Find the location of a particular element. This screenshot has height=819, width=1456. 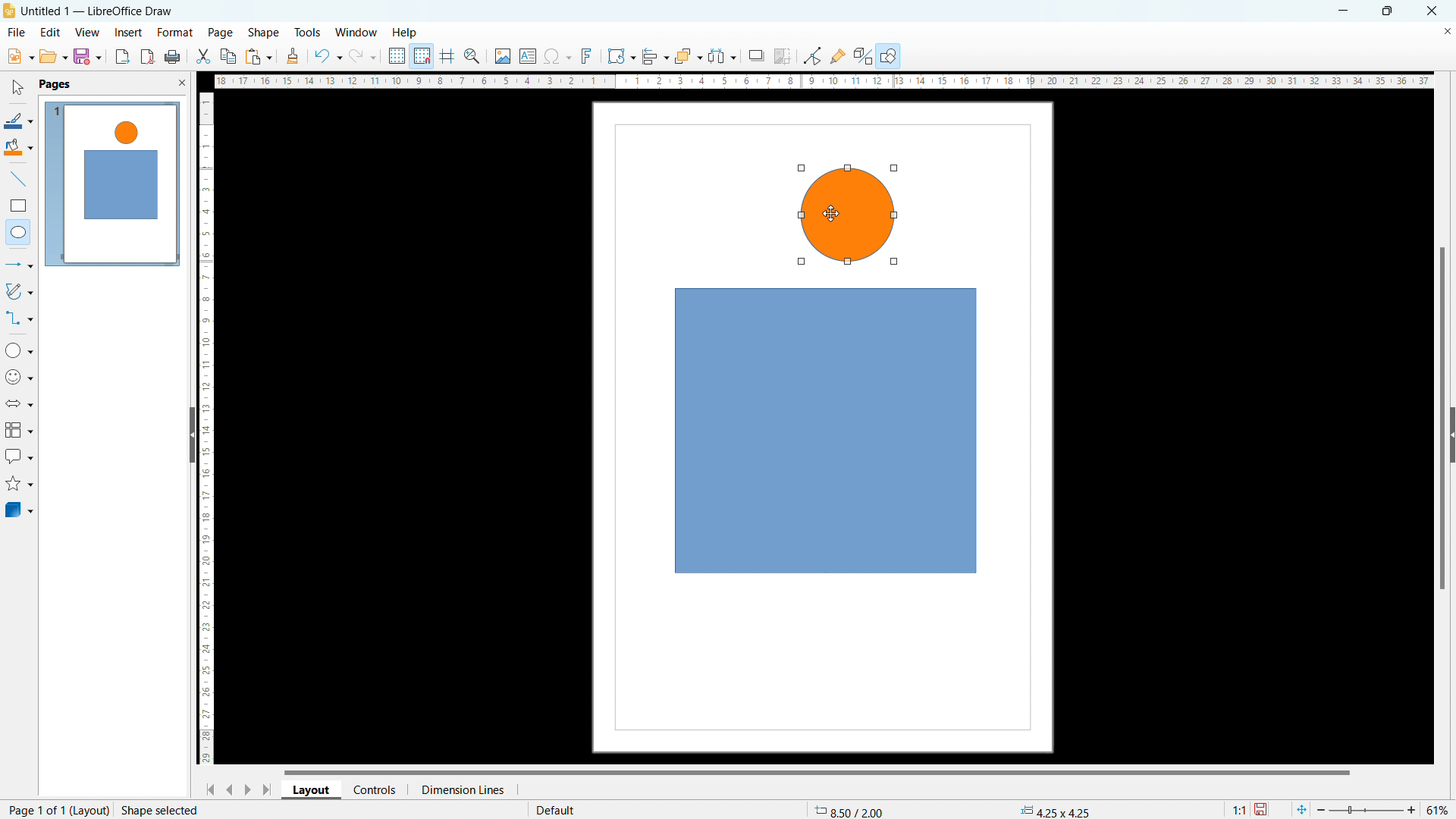

print is located at coordinates (171, 58).